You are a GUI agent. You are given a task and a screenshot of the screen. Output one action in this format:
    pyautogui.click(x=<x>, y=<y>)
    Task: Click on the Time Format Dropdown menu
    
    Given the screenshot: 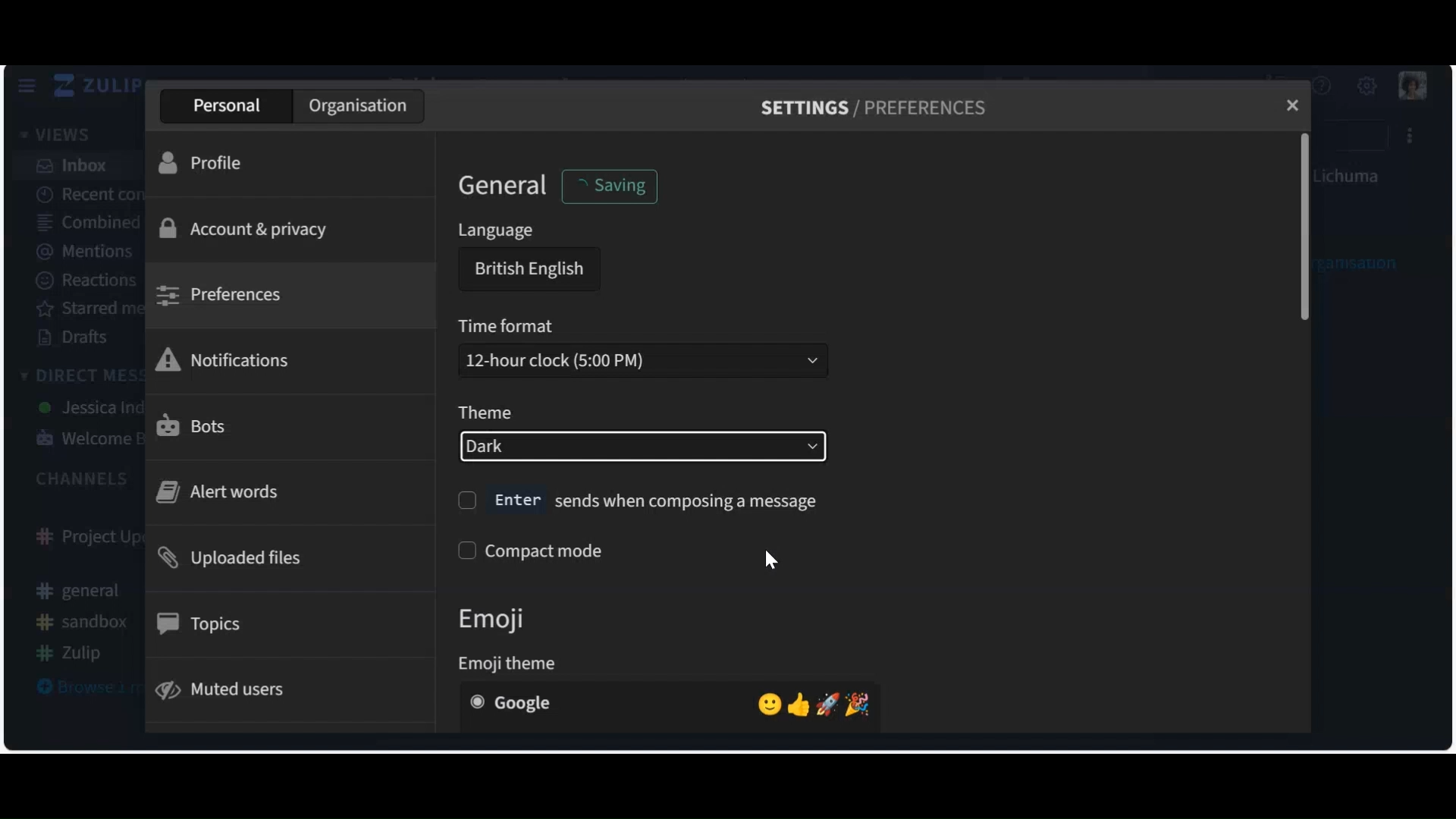 What is the action you would take?
    pyautogui.click(x=641, y=359)
    